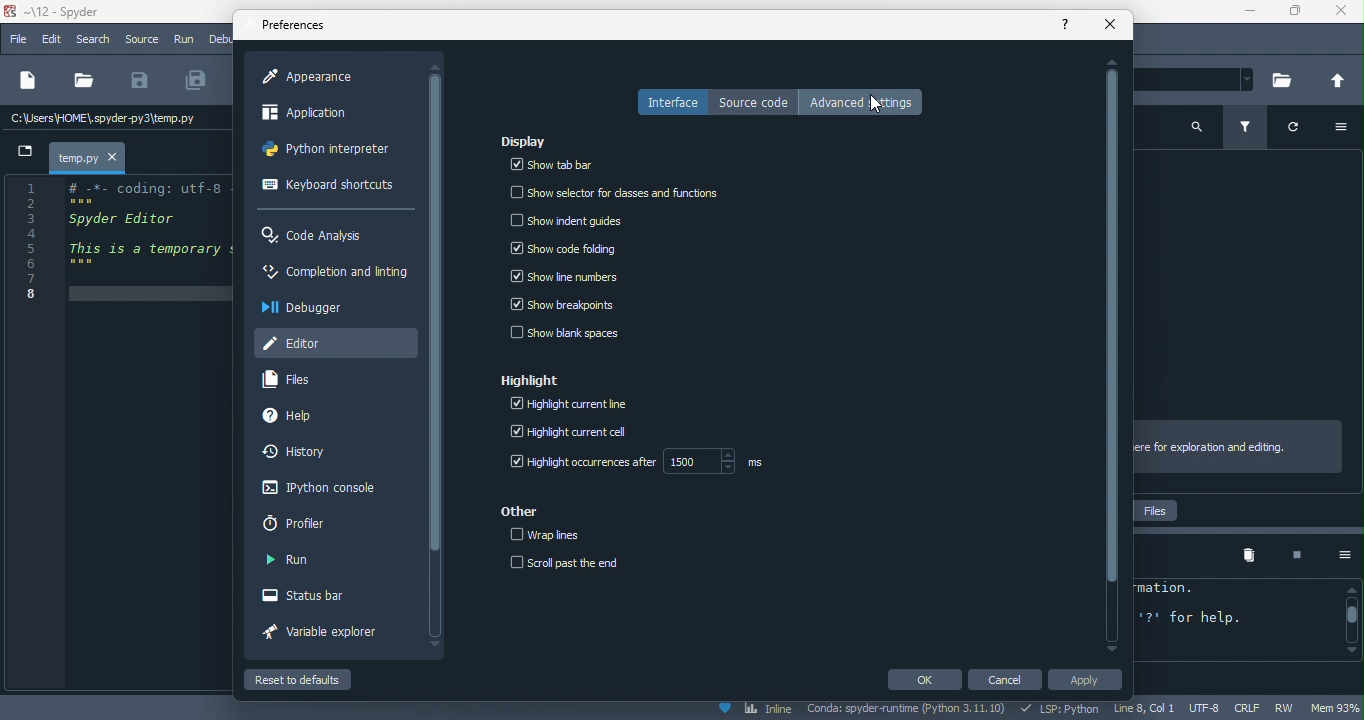 The height and width of the screenshot is (720, 1364). Describe the element at coordinates (289, 561) in the screenshot. I see `run` at that location.